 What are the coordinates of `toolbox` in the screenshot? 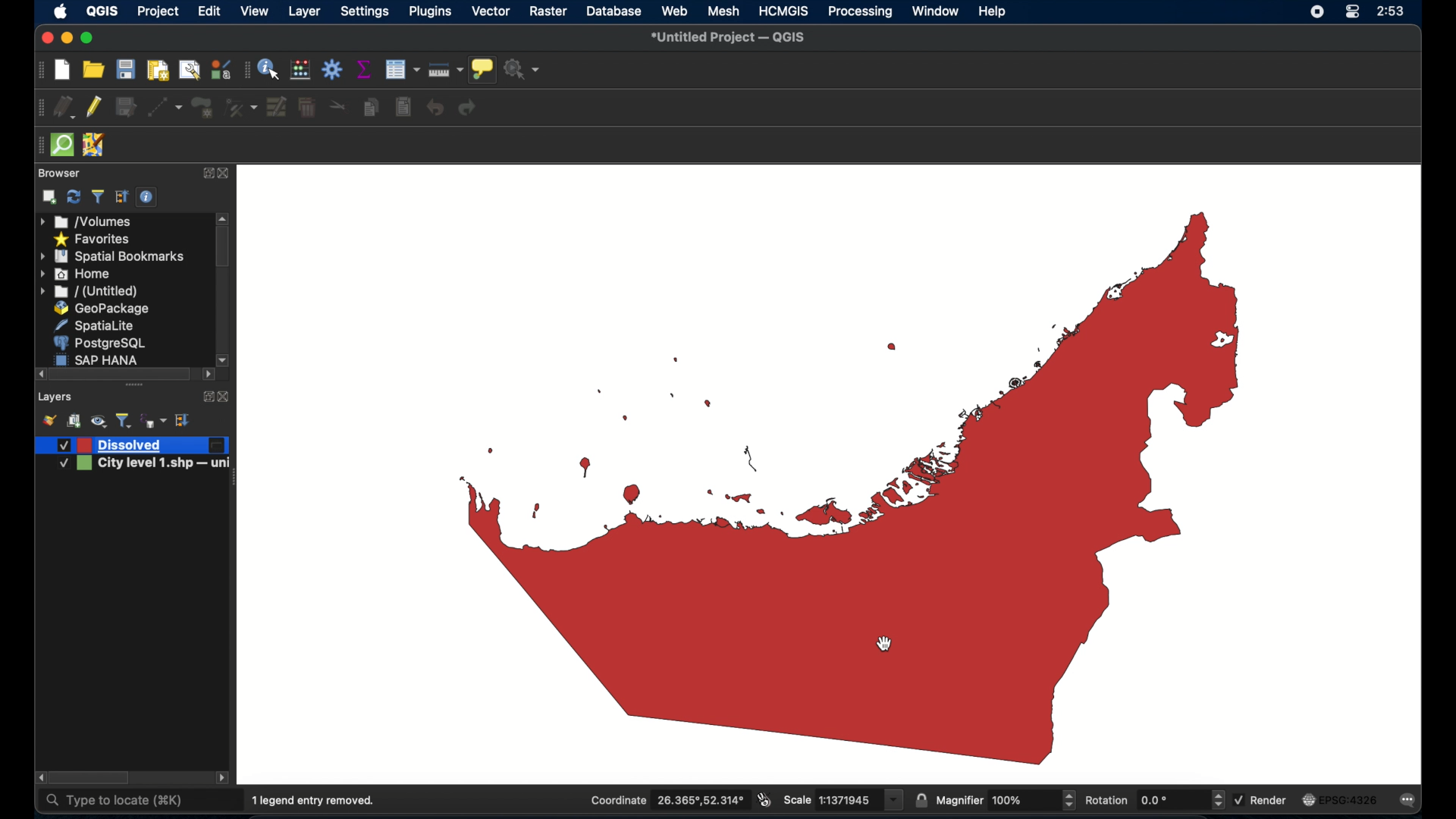 It's located at (333, 69).